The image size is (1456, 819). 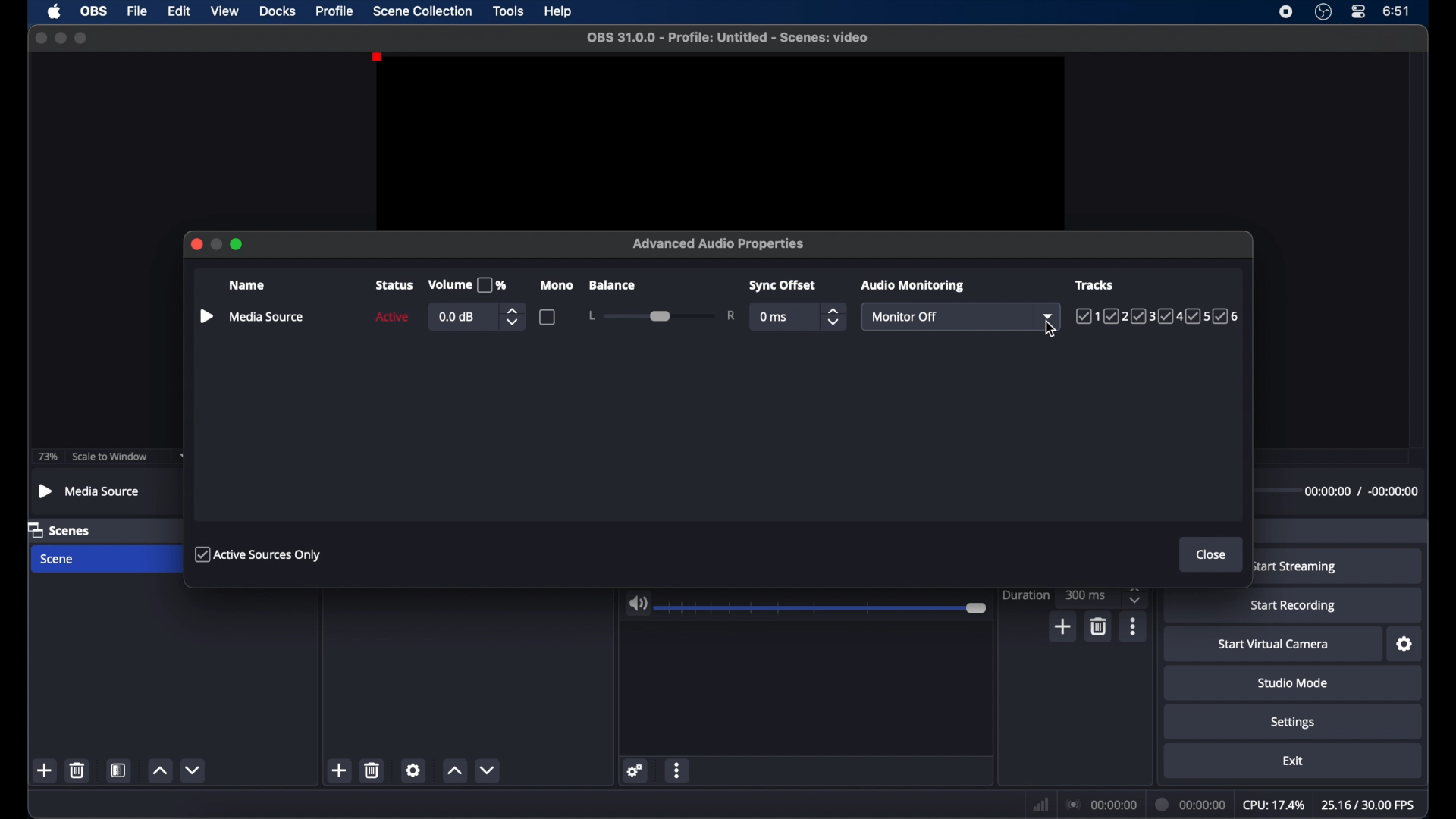 What do you see at coordinates (206, 317) in the screenshot?
I see `play` at bounding box center [206, 317].